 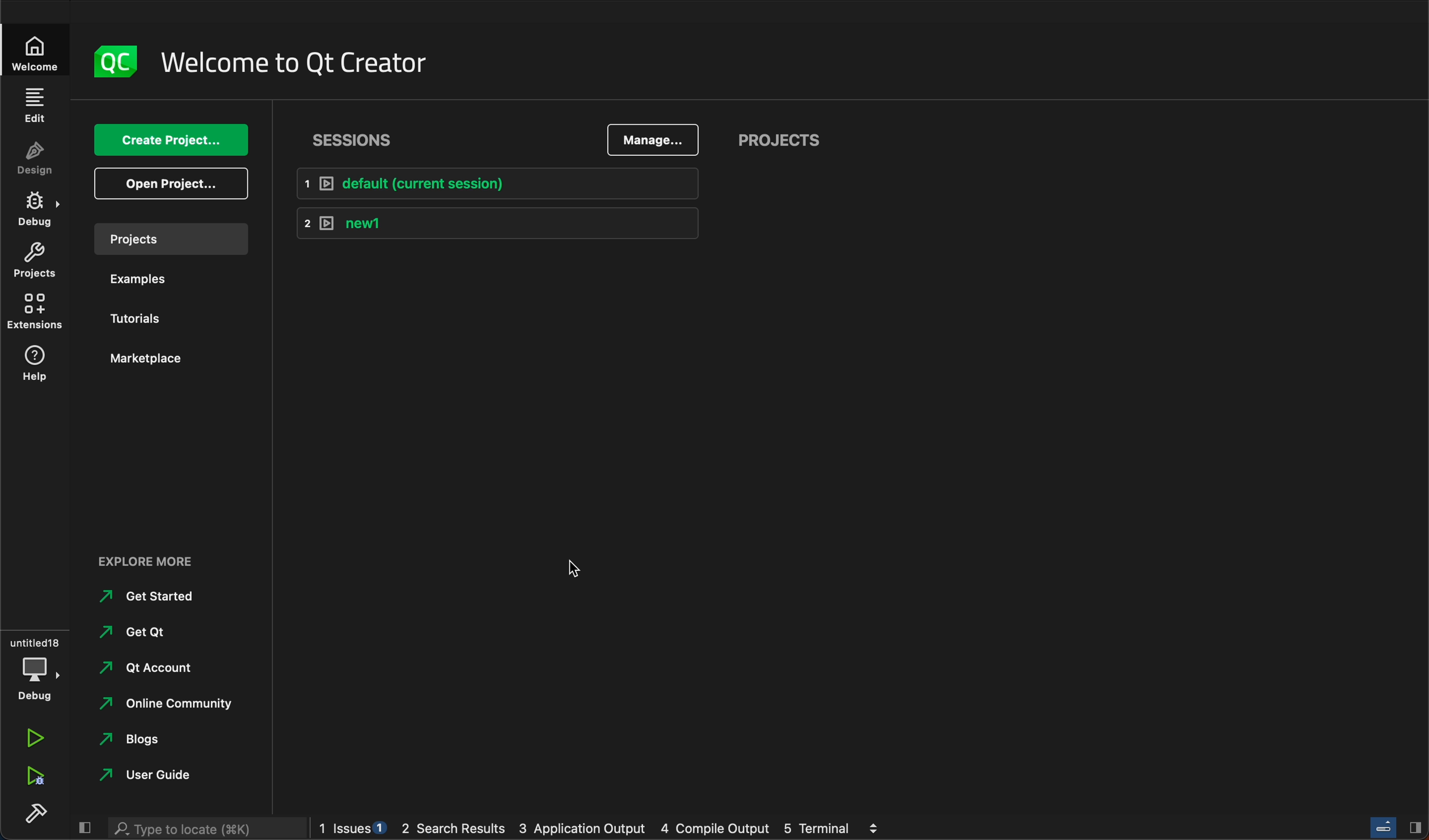 I want to click on explore, so click(x=153, y=562).